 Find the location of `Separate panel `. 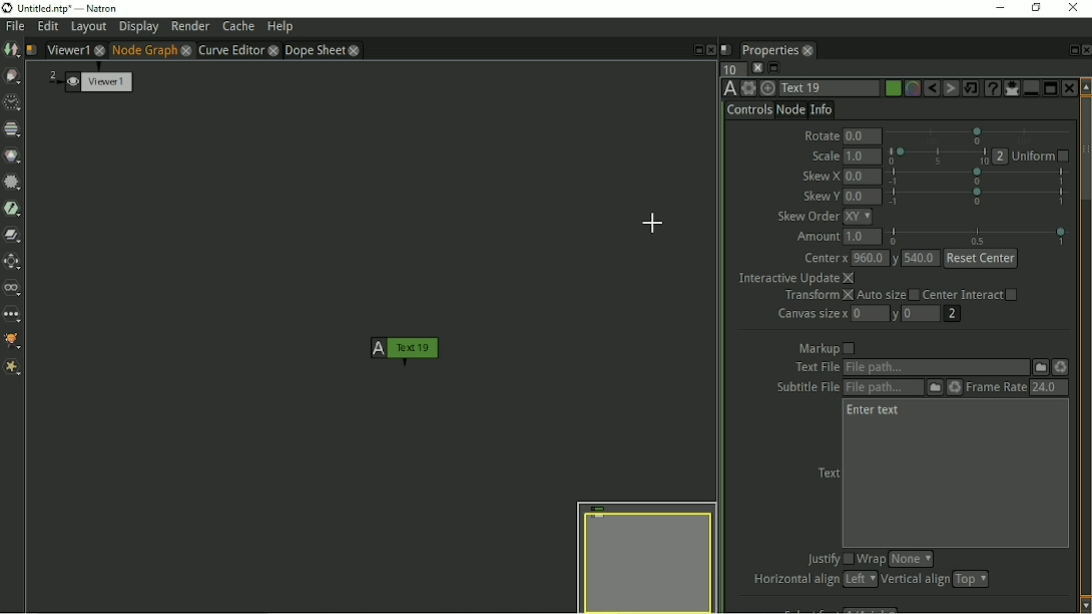

Separate panel  is located at coordinates (1051, 86).